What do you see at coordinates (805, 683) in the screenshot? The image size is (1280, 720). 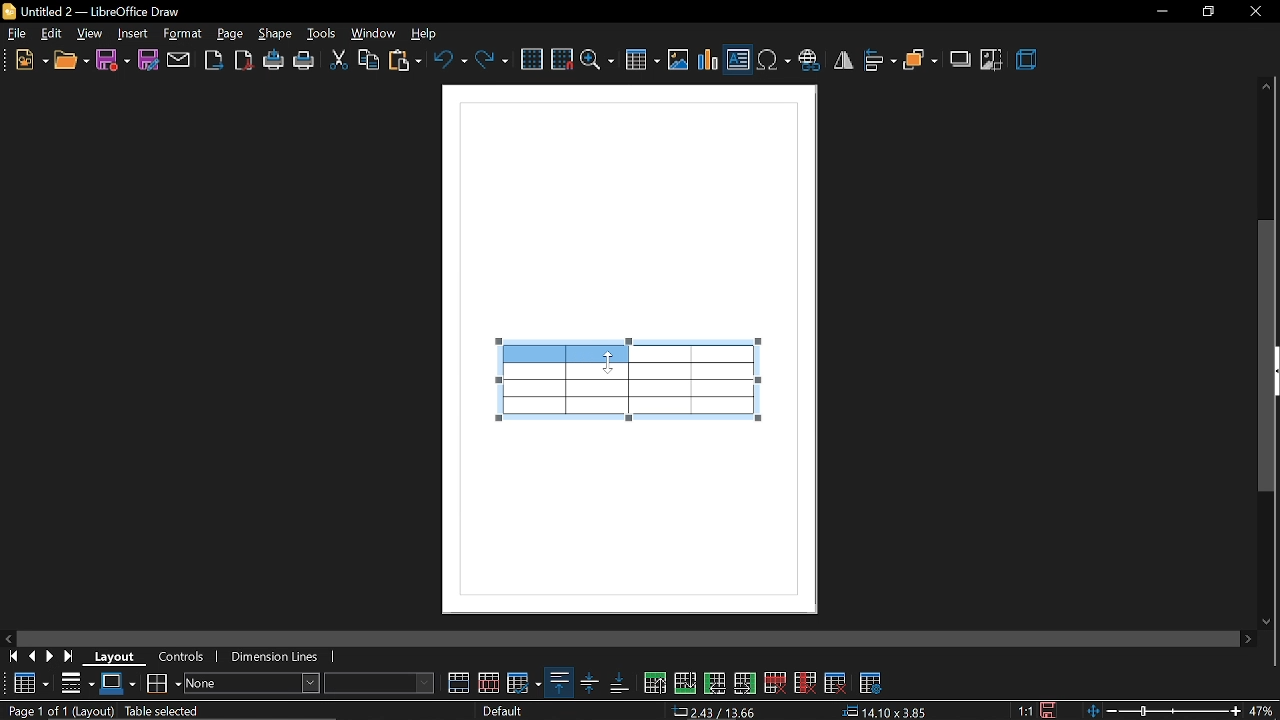 I see `delete column` at bounding box center [805, 683].